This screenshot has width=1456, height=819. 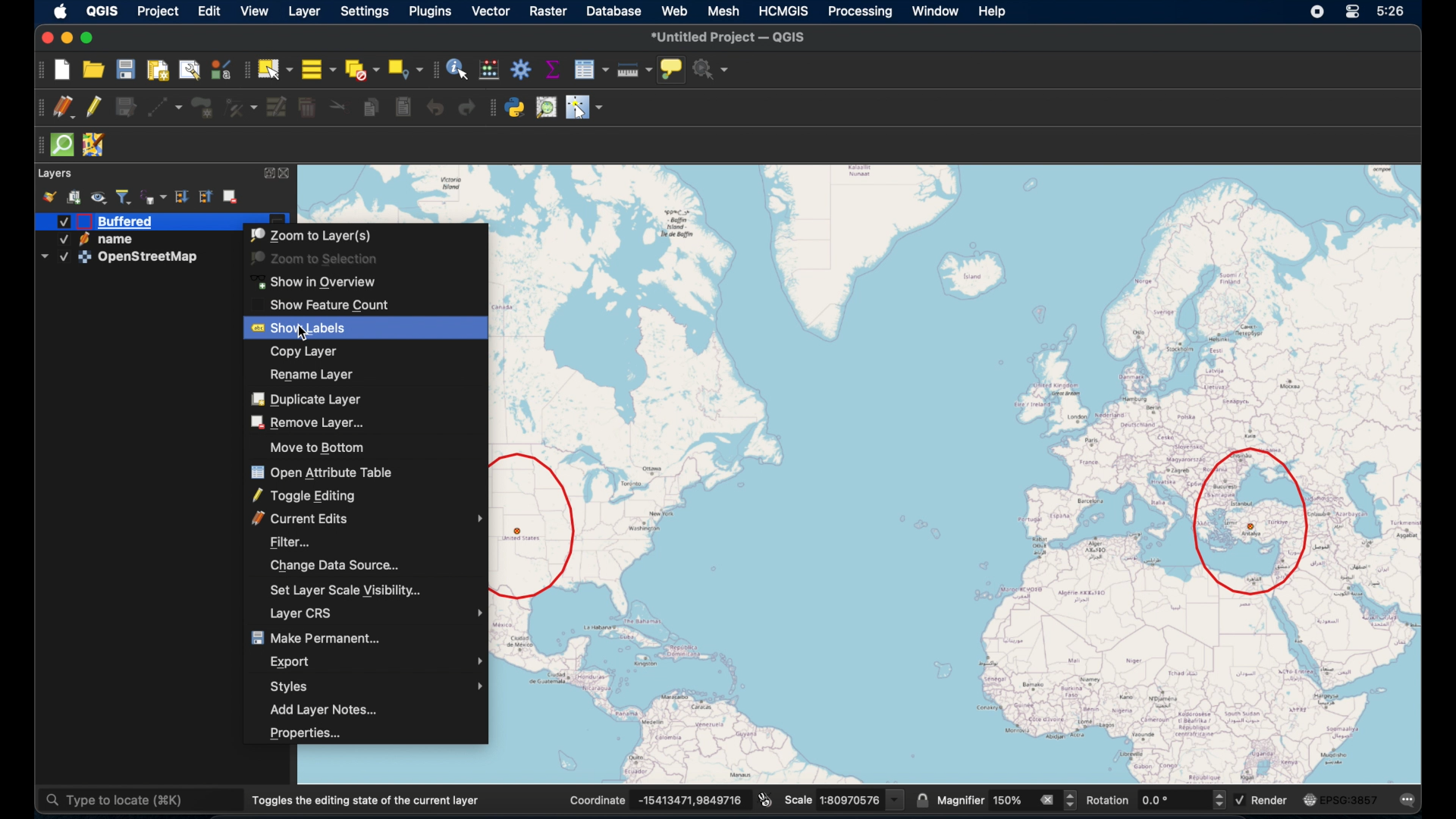 What do you see at coordinates (240, 106) in the screenshot?
I see `vertex tool` at bounding box center [240, 106].